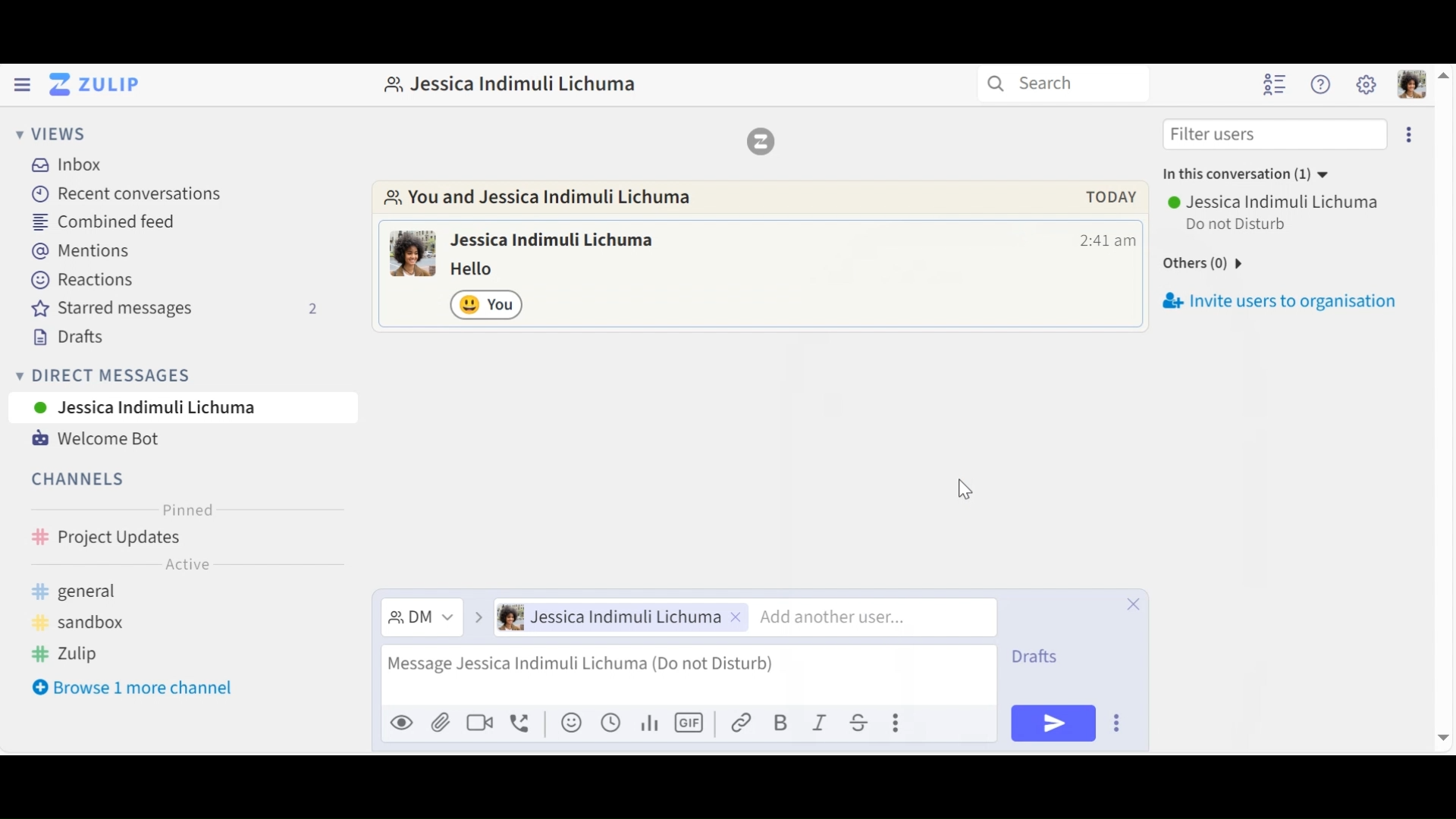 This screenshot has height=819, width=1456. What do you see at coordinates (65, 337) in the screenshot?
I see `Drafts` at bounding box center [65, 337].